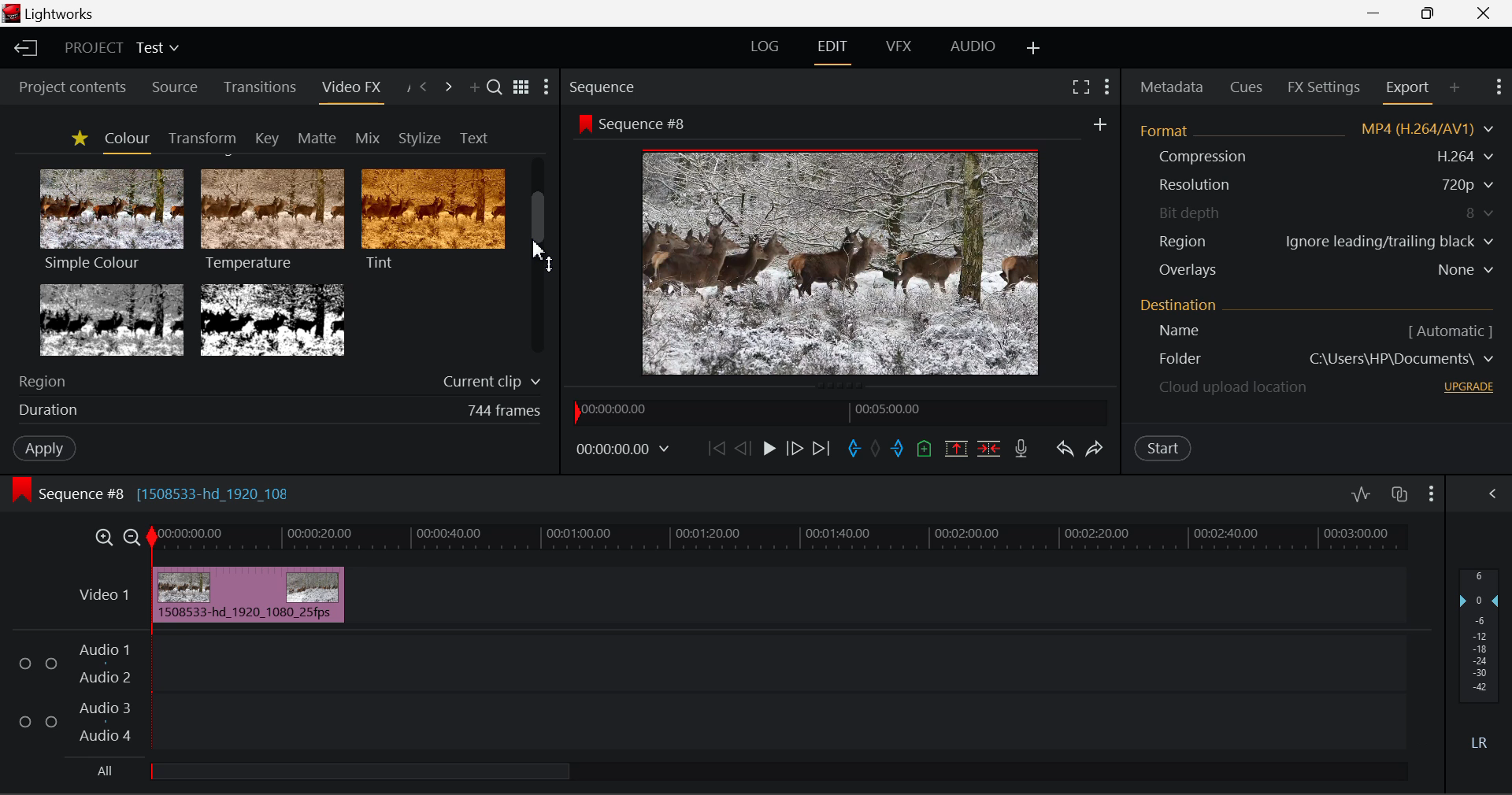  Describe the element at coordinates (539, 259) in the screenshot. I see `Scroll Bar` at that location.